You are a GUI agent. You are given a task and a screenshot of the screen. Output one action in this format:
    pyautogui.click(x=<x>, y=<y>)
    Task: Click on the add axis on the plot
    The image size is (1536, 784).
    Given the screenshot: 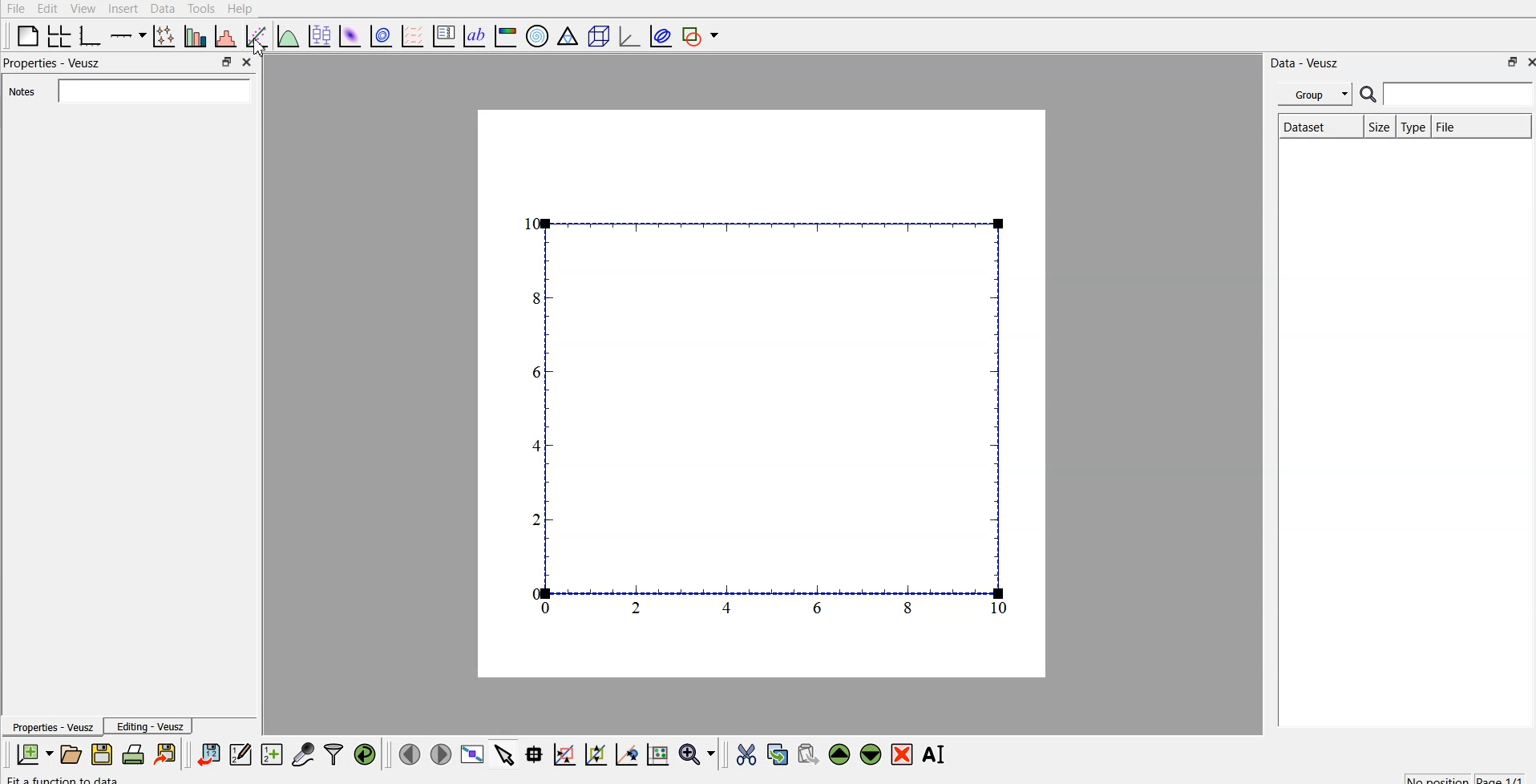 What is the action you would take?
    pyautogui.click(x=128, y=36)
    